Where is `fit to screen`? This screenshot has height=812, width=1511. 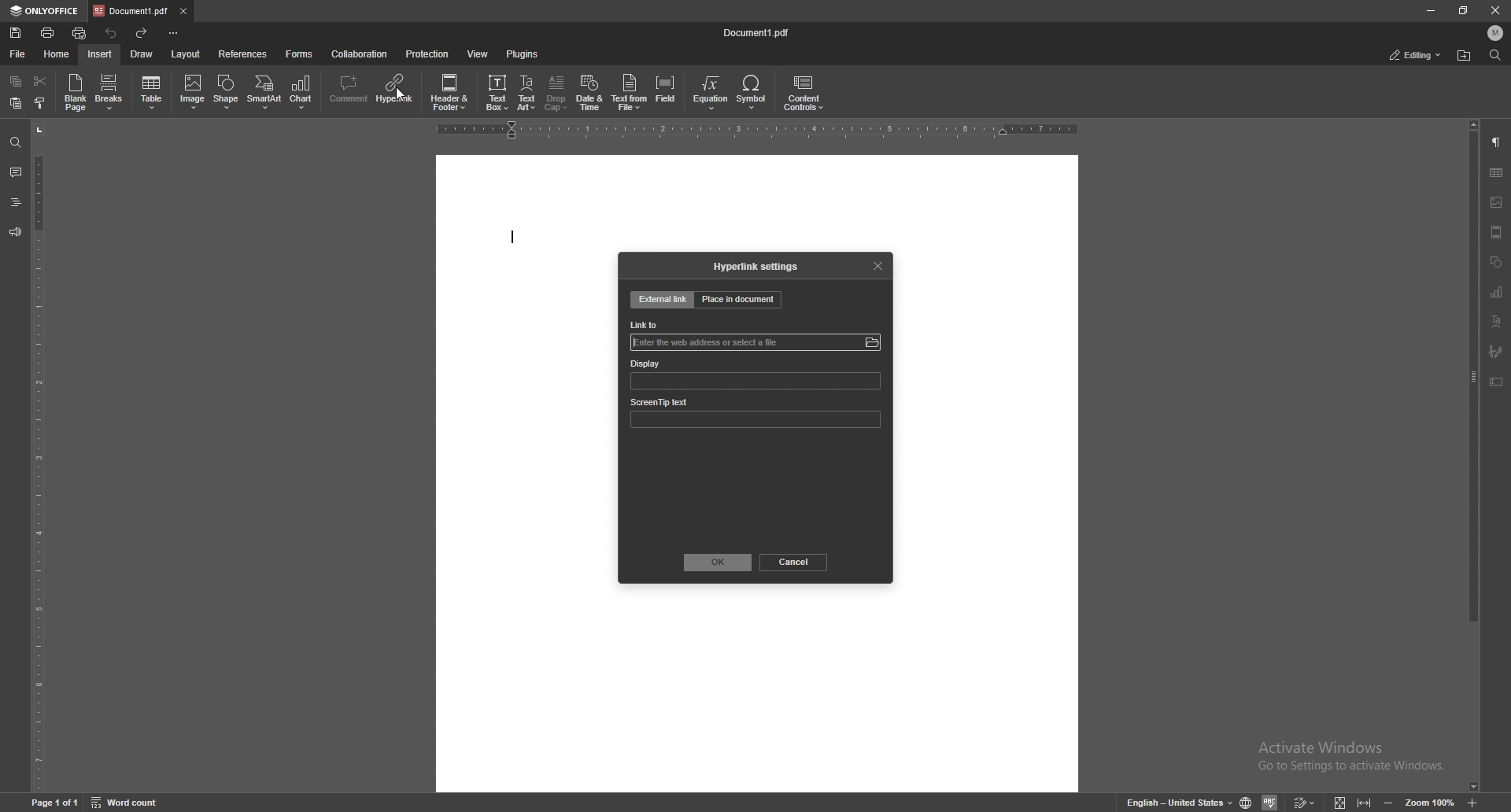
fit to screen is located at coordinates (1340, 801).